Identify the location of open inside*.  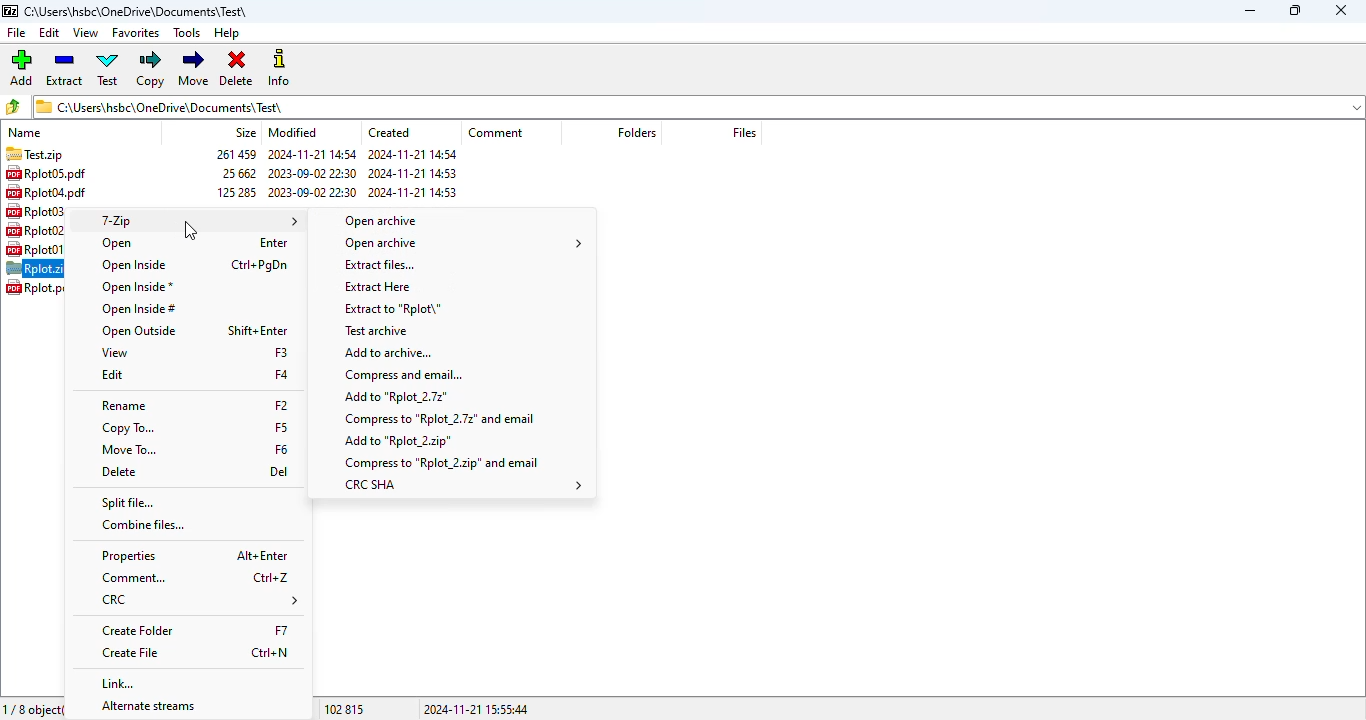
(137, 287).